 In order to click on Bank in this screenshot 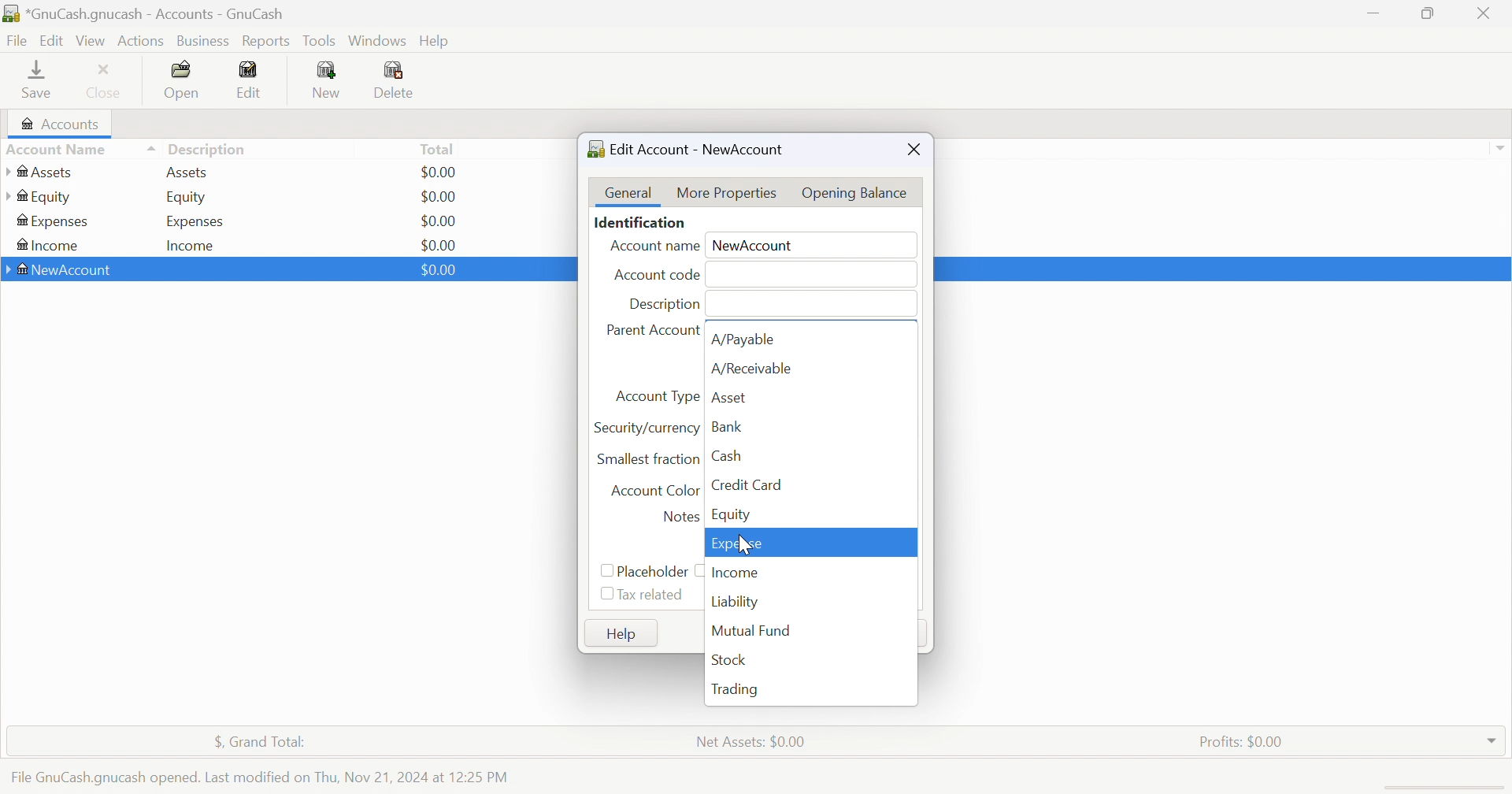, I will do `click(730, 426)`.